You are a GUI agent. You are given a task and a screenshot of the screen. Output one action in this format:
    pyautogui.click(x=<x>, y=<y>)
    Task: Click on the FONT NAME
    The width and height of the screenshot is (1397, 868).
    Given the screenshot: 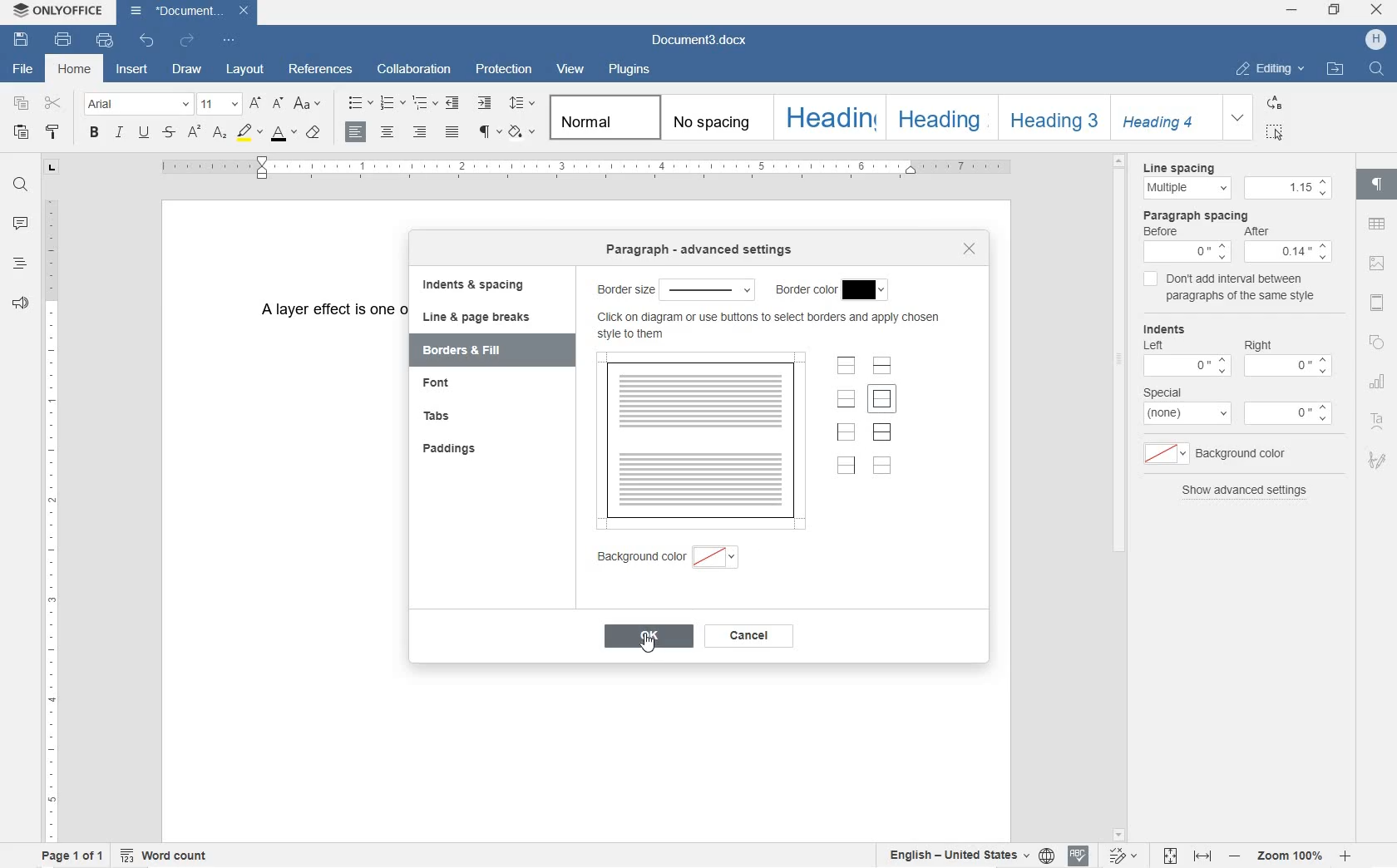 What is the action you would take?
    pyautogui.click(x=136, y=106)
    